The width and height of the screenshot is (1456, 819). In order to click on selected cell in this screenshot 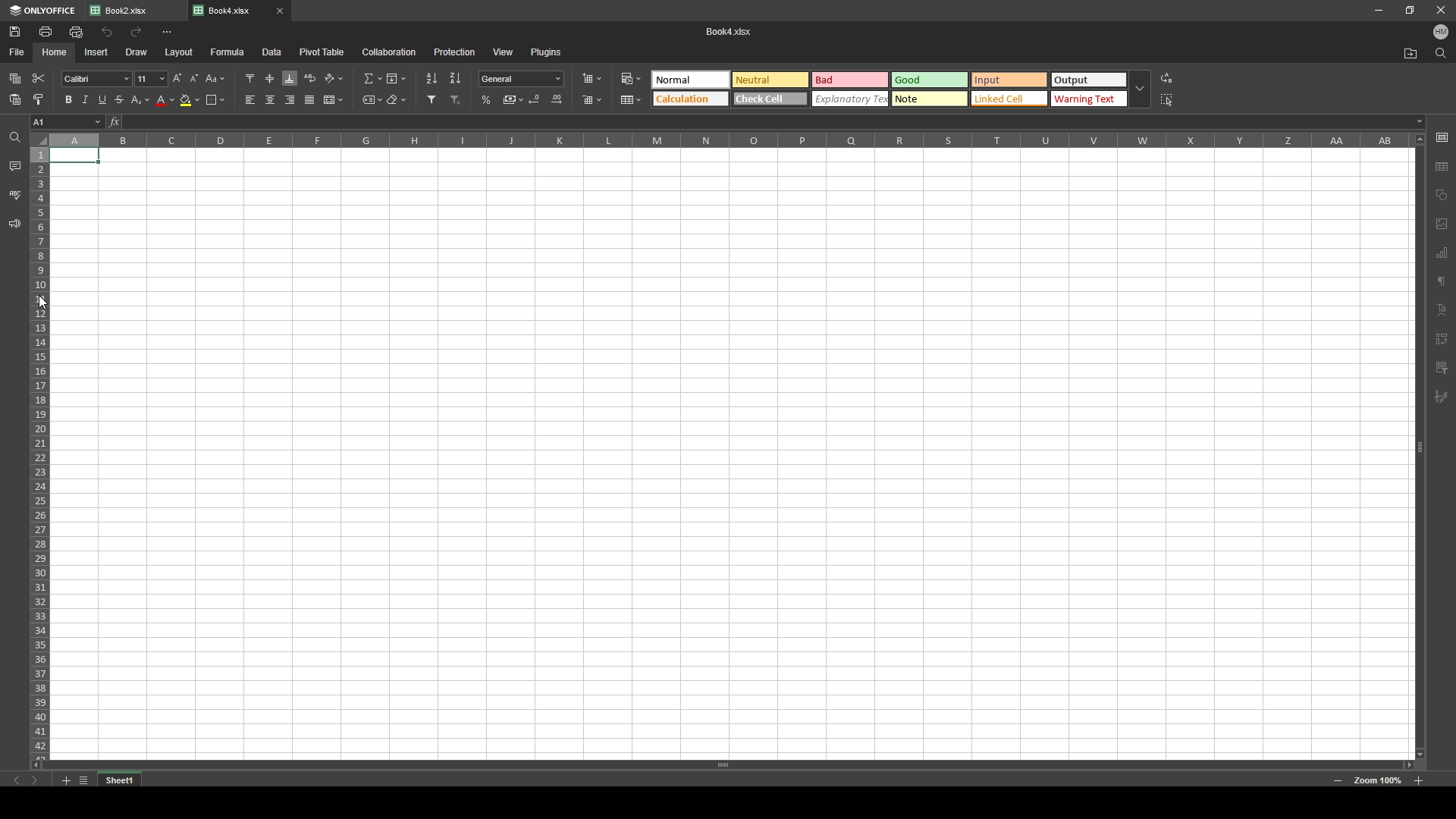, I will do `click(67, 122)`.